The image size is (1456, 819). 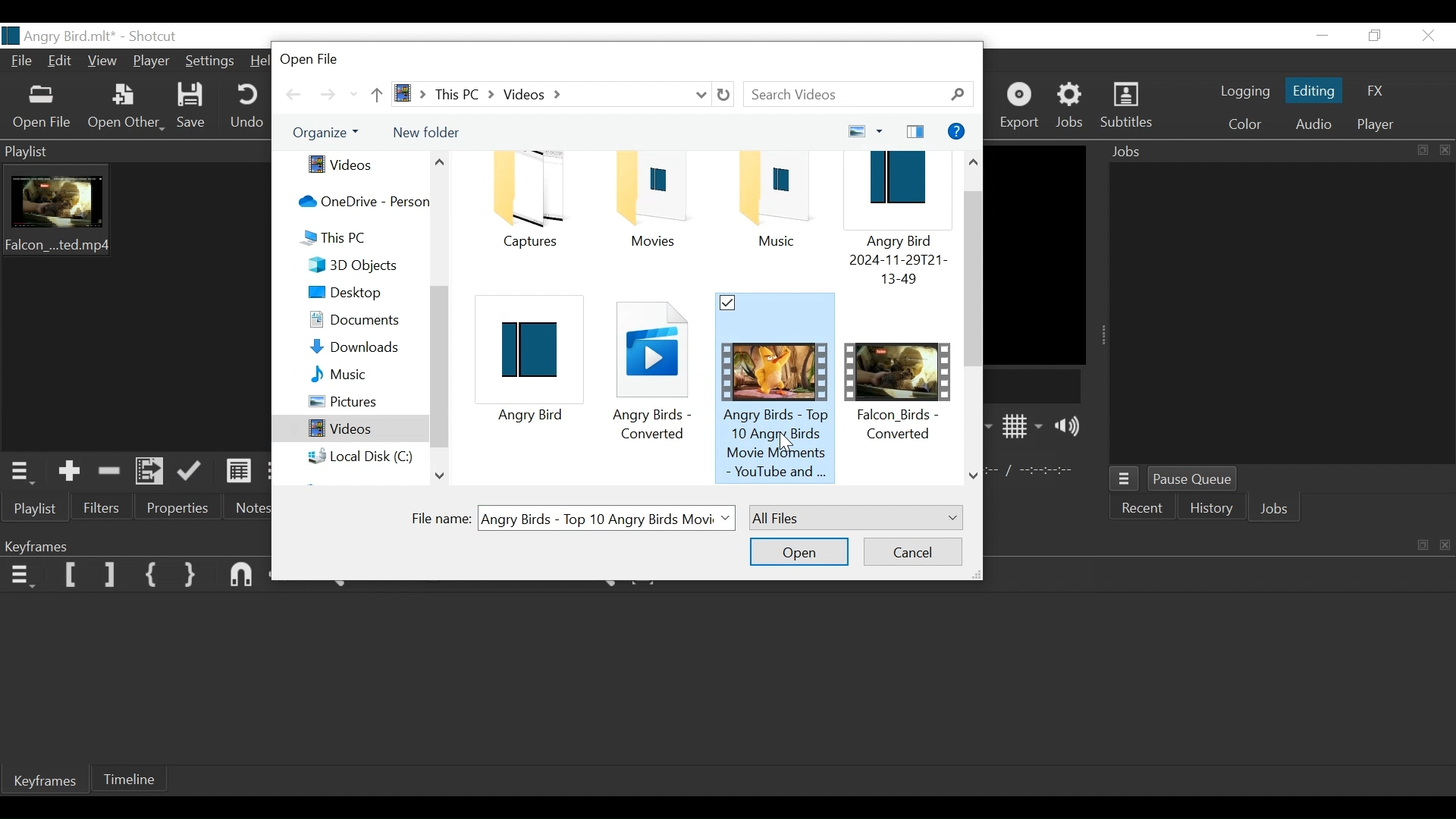 I want to click on View, so click(x=104, y=61).